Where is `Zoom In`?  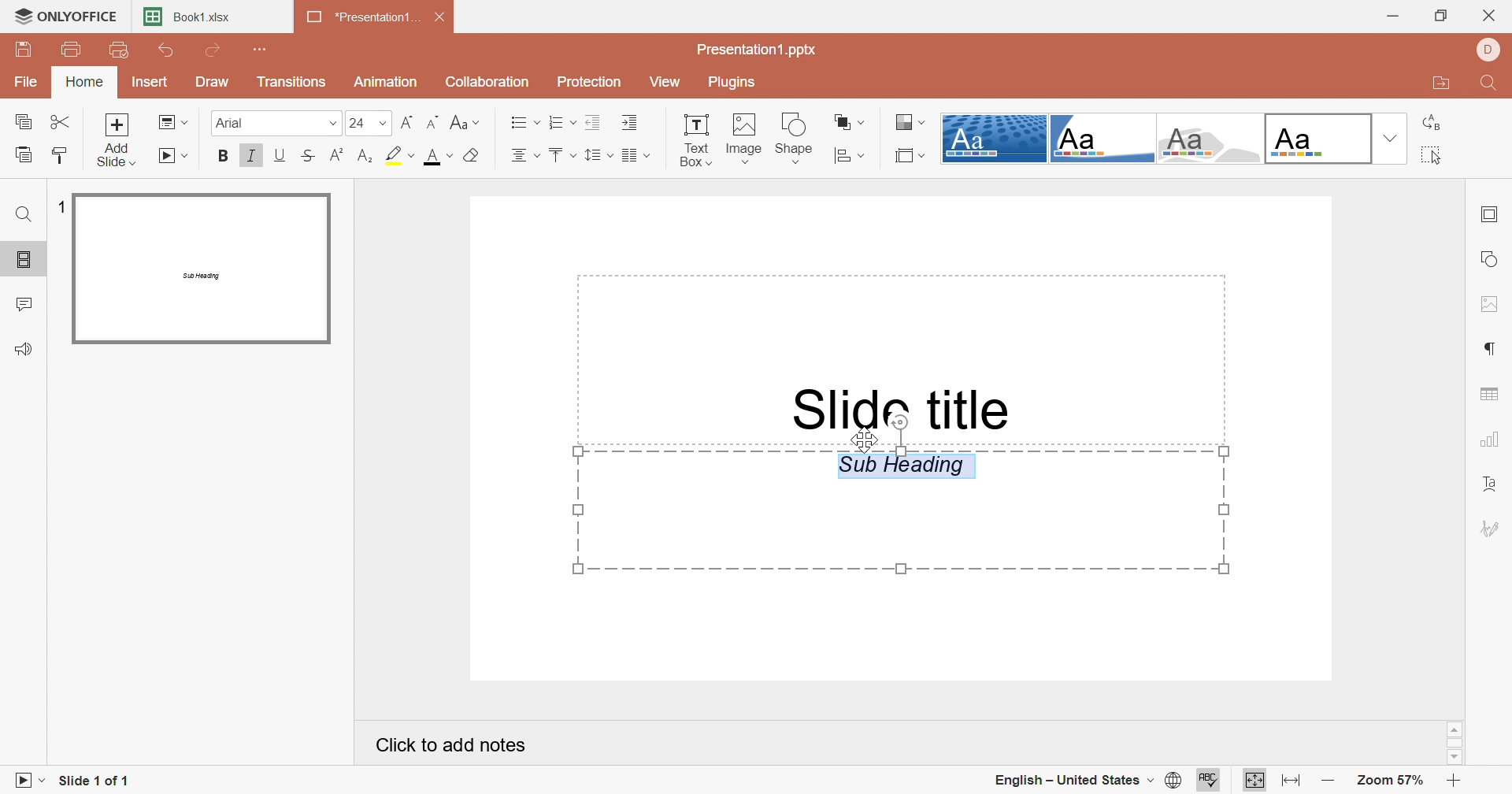 Zoom In is located at coordinates (1451, 780).